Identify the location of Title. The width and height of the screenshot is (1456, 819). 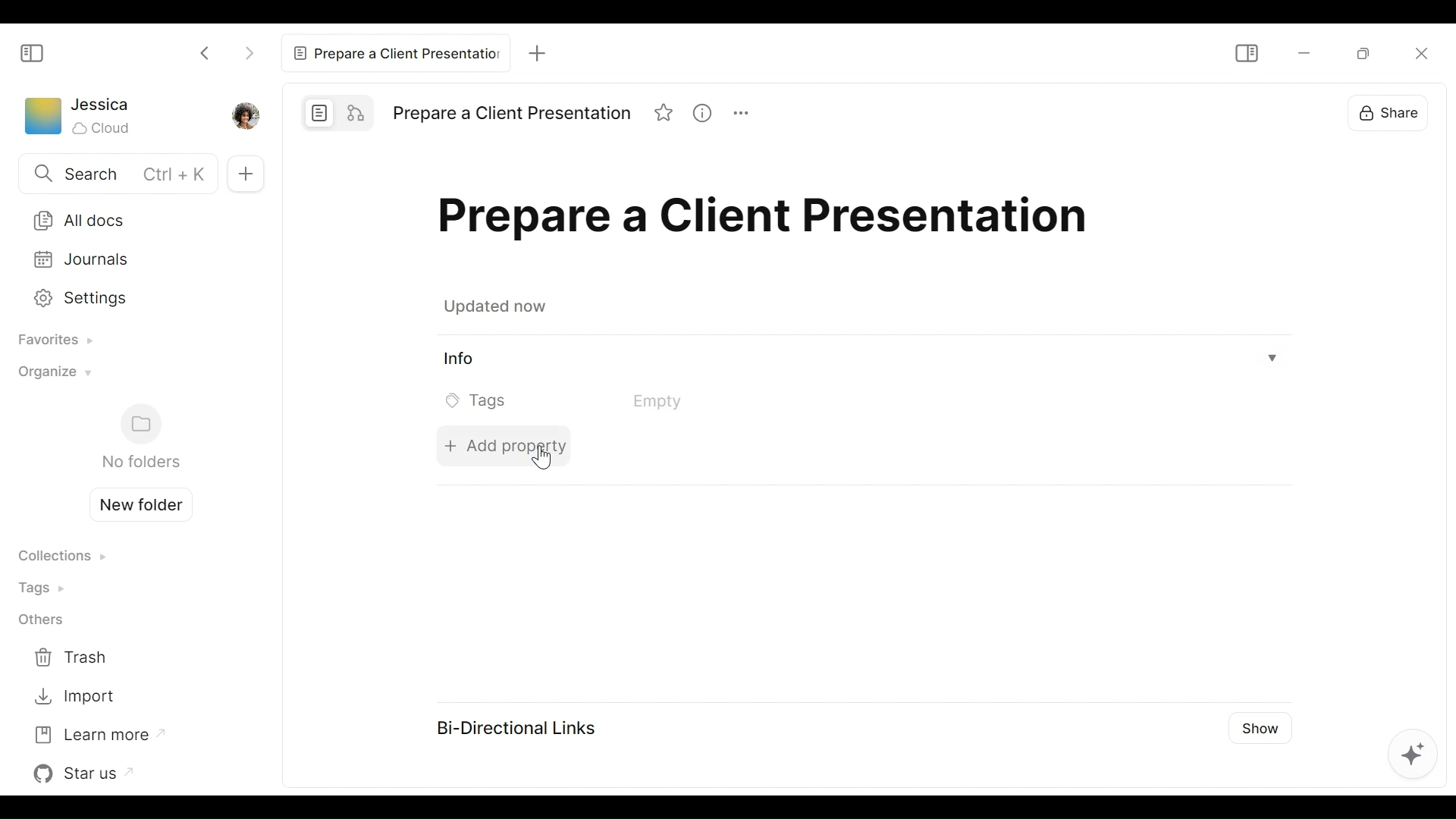
(770, 221).